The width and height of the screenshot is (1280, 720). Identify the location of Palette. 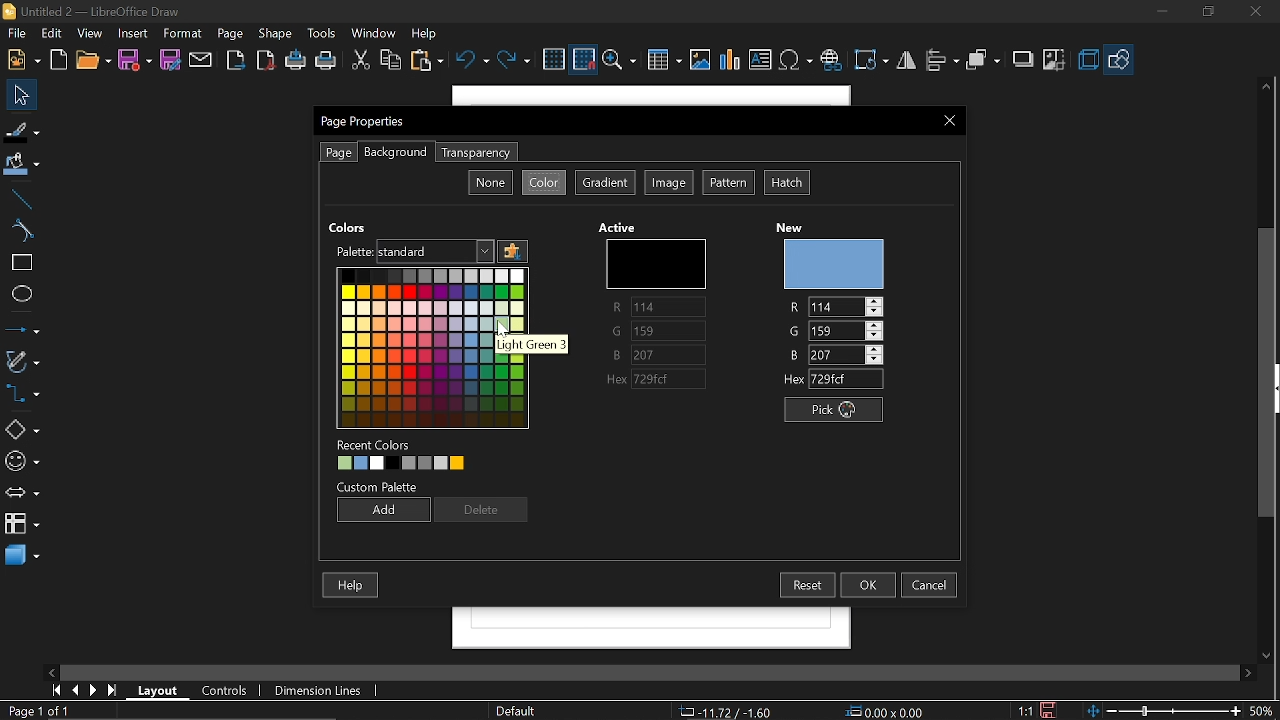
(352, 251).